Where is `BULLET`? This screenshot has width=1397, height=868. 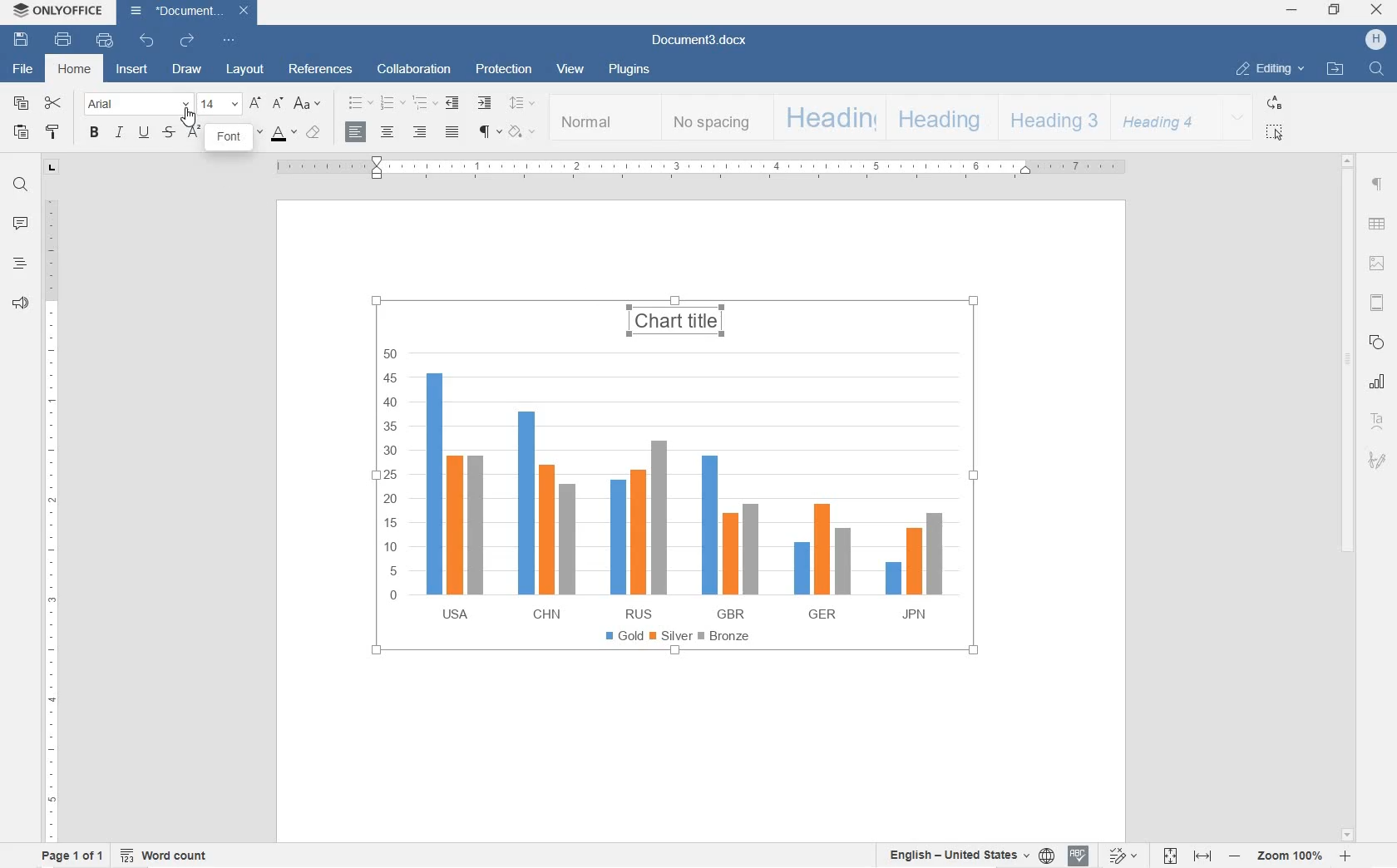 BULLET is located at coordinates (360, 104).